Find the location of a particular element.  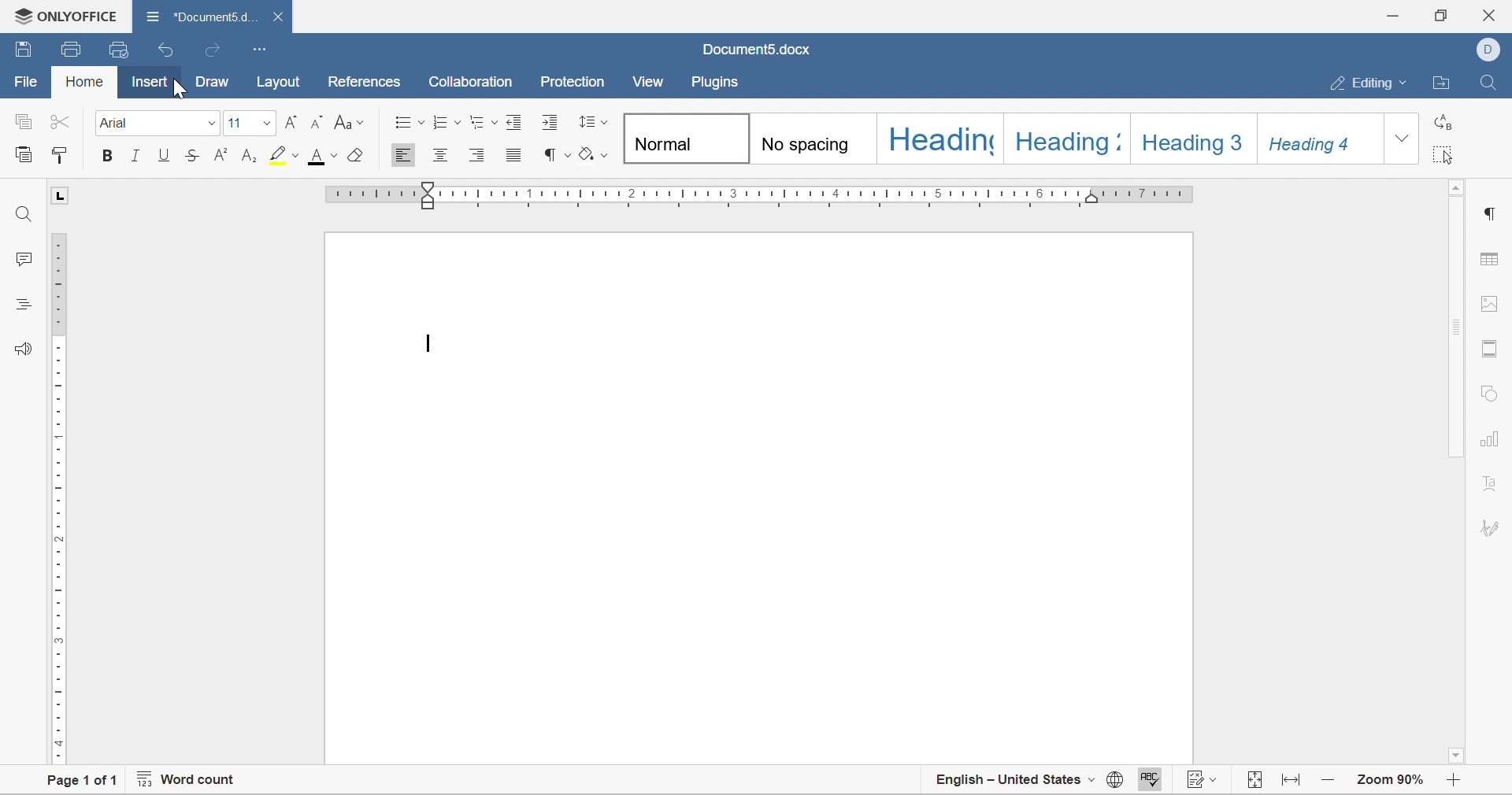

close is located at coordinates (279, 18).